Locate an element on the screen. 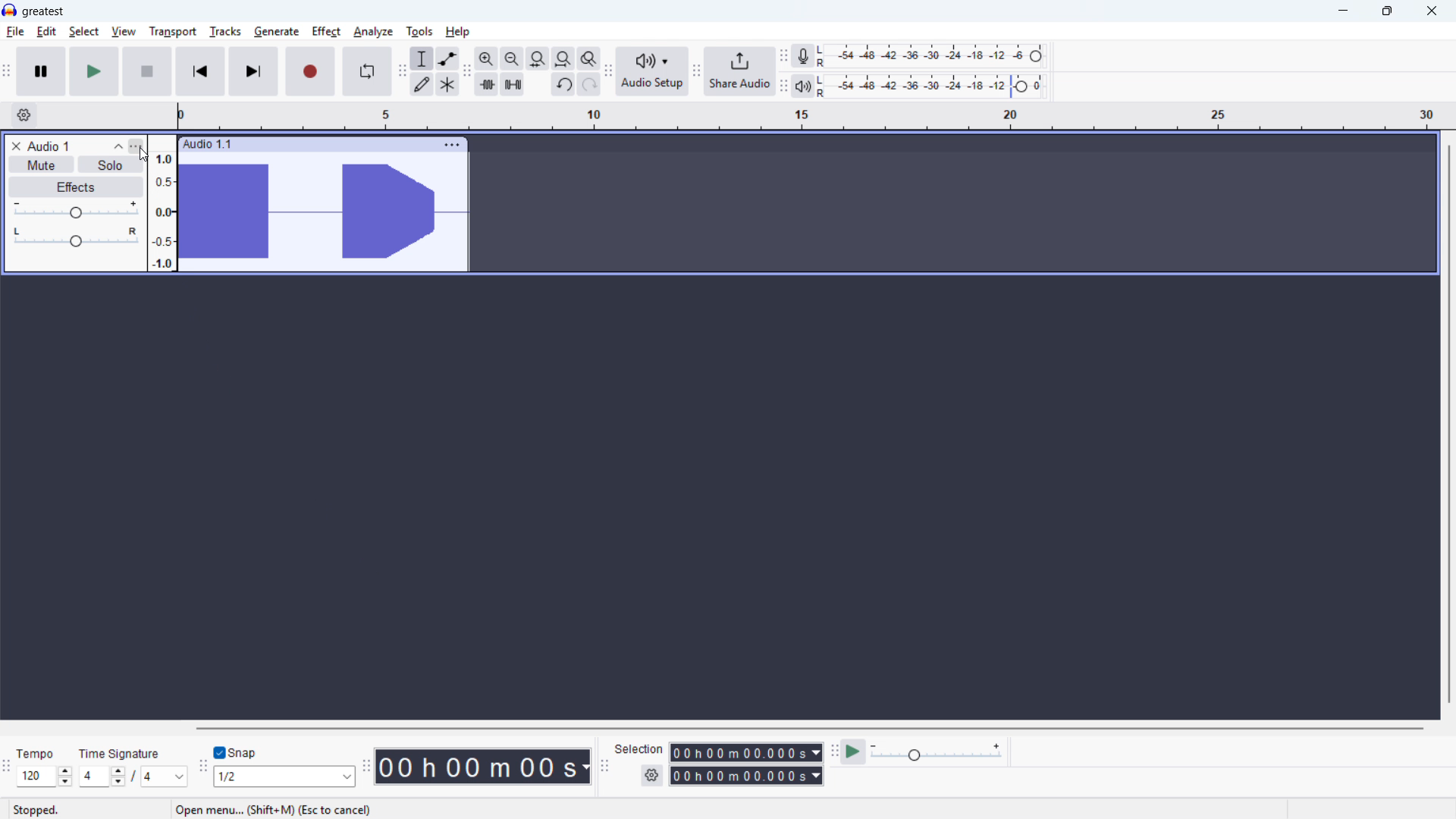 This screenshot has width=1456, height=819. Transport  is located at coordinates (173, 31).